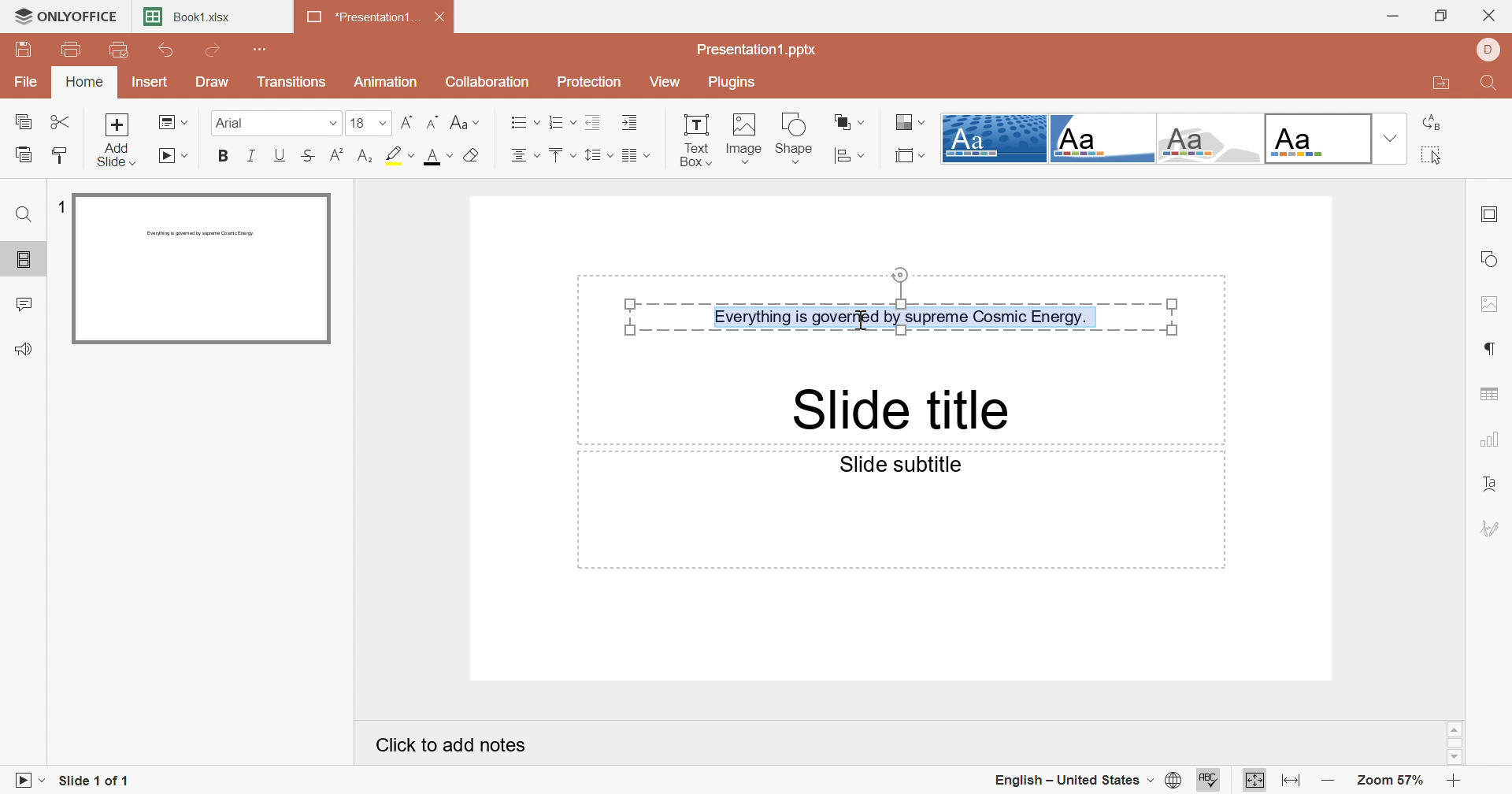 Image resolution: width=1512 pixels, height=794 pixels. I want to click on Bullets, so click(524, 121).